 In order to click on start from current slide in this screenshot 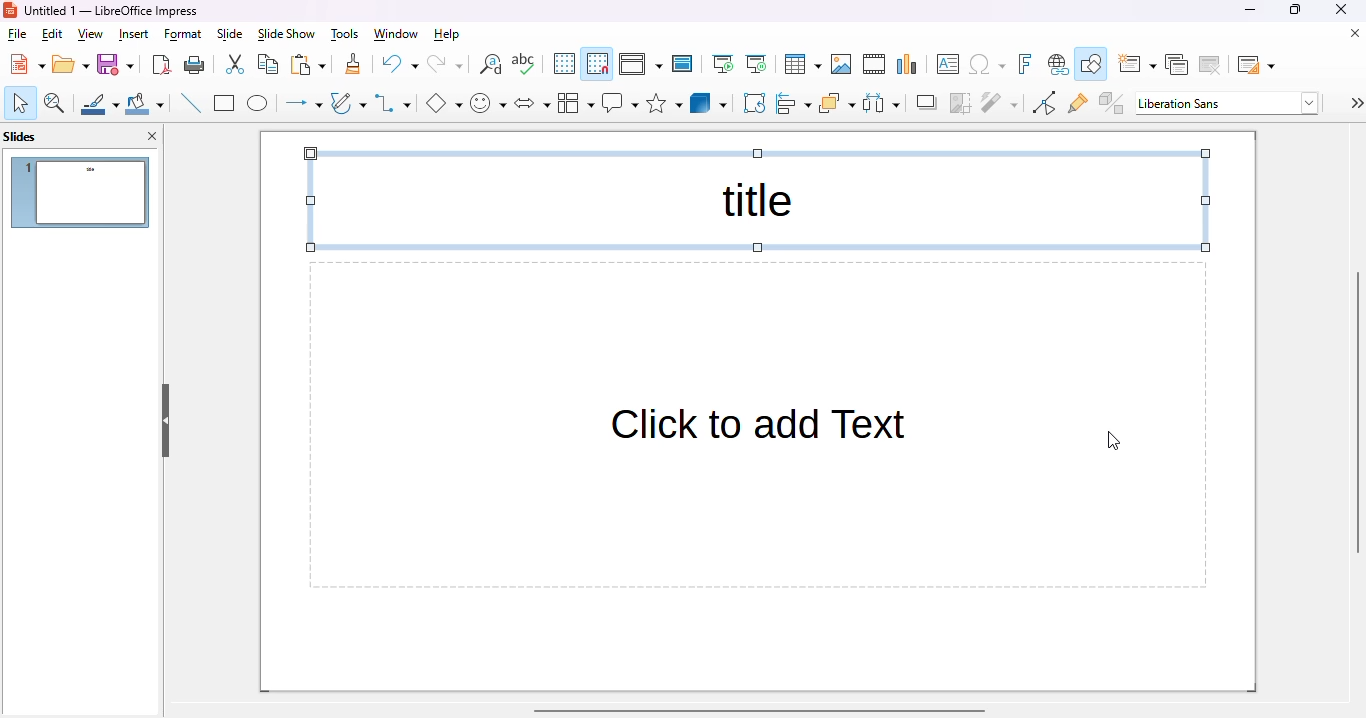, I will do `click(757, 64)`.